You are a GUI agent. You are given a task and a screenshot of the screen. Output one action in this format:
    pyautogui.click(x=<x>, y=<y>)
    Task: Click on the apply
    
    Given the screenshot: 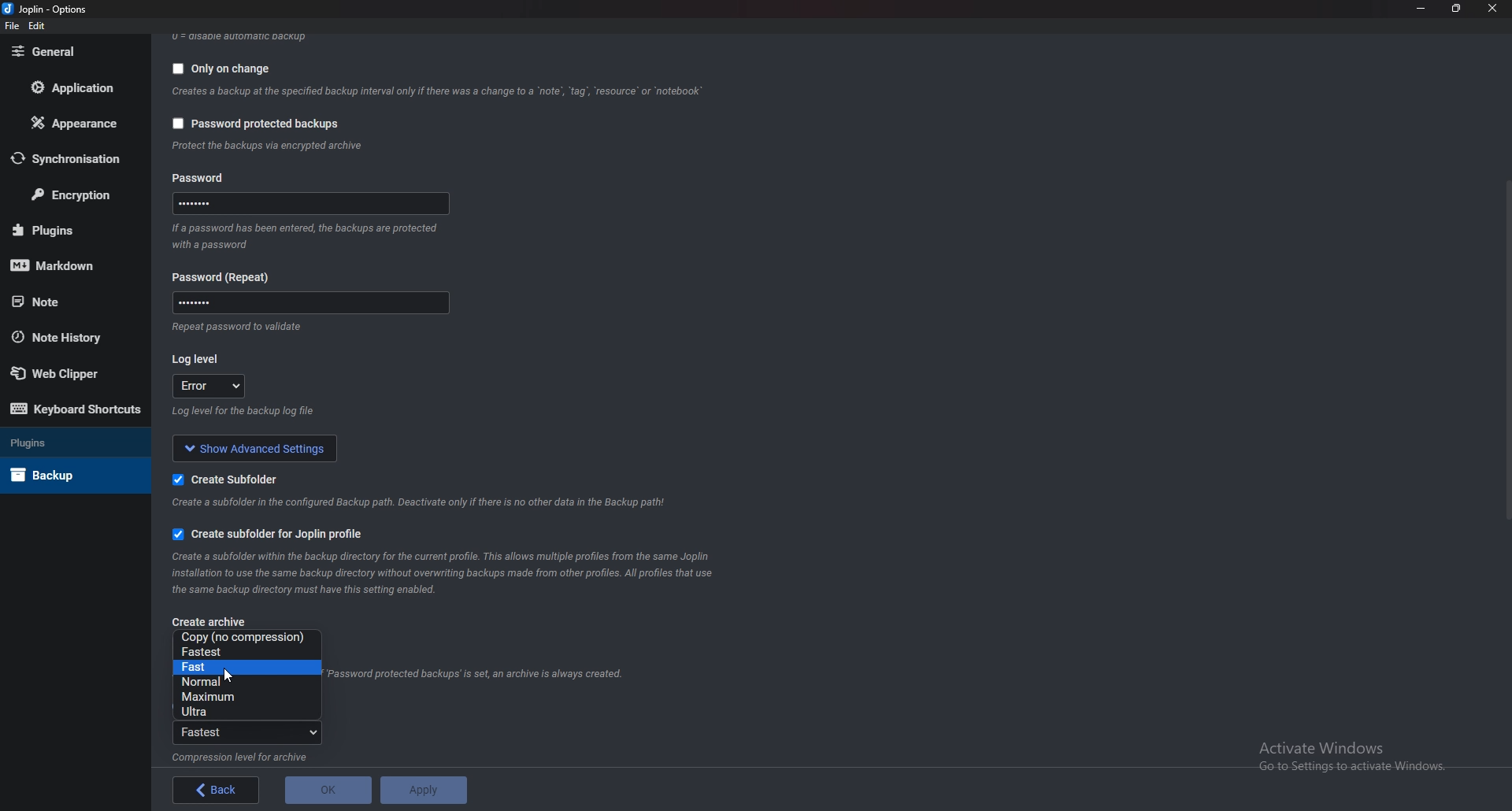 What is the action you would take?
    pyautogui.click(x=420, y=791)
    